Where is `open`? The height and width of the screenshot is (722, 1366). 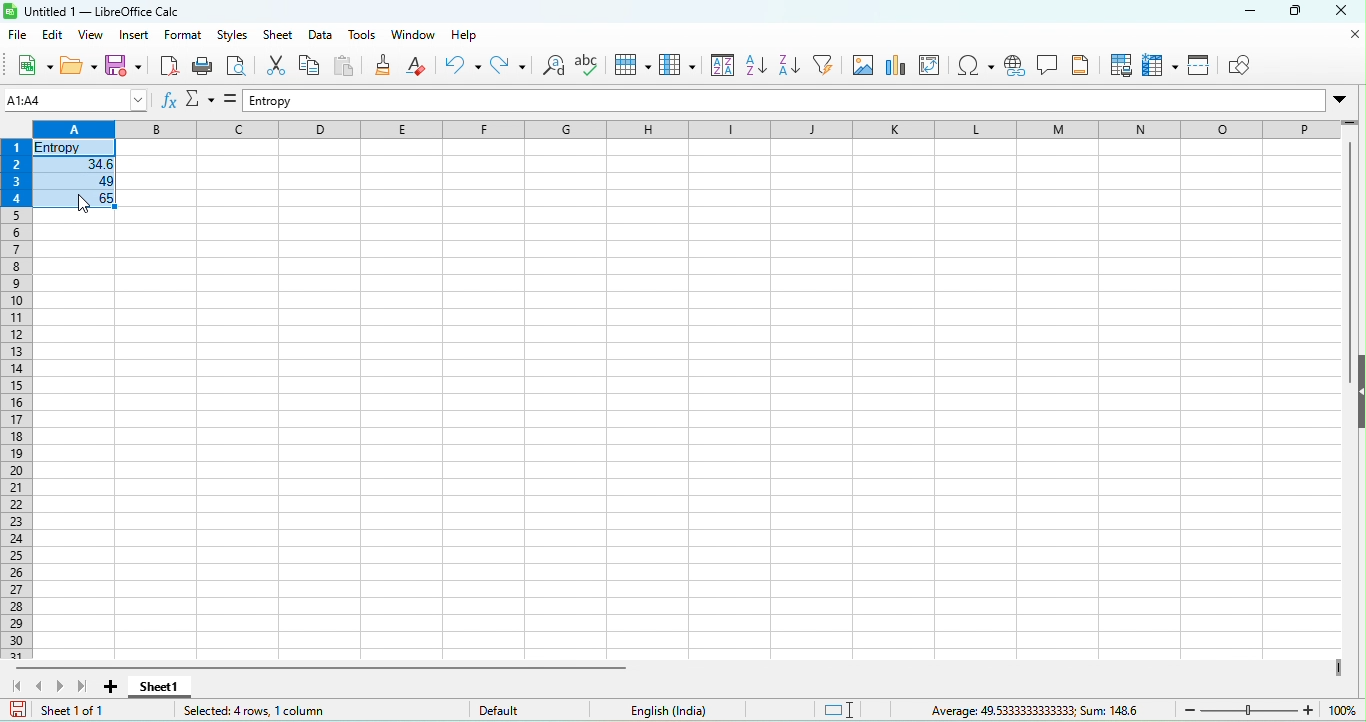
open is located at coordinates (78, 67).